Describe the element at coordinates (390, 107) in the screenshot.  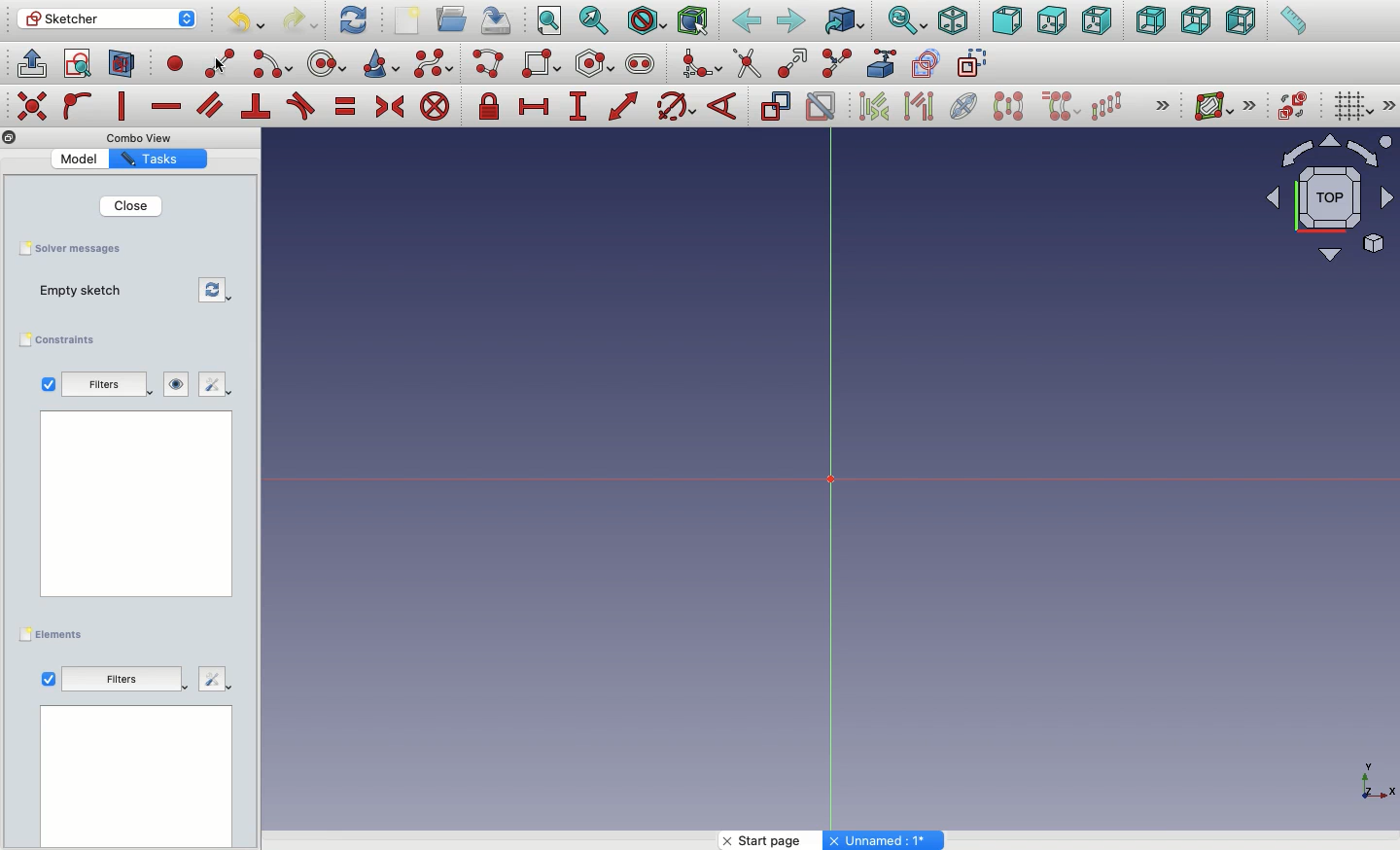
I see `Constrain symmetrical` at that location.